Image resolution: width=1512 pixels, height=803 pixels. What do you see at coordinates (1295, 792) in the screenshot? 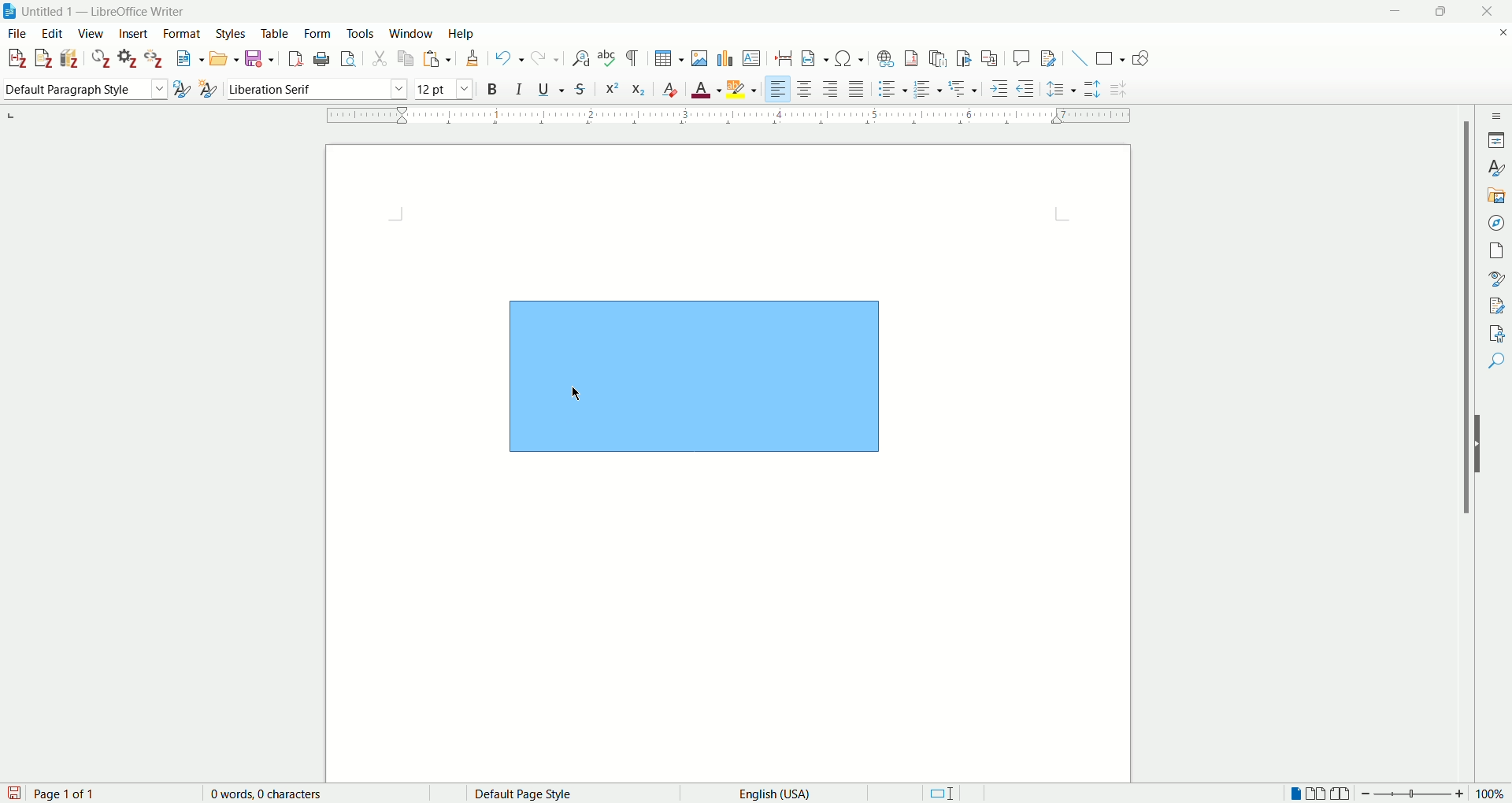
I see `single page view` at bounding box center [1295, 792].